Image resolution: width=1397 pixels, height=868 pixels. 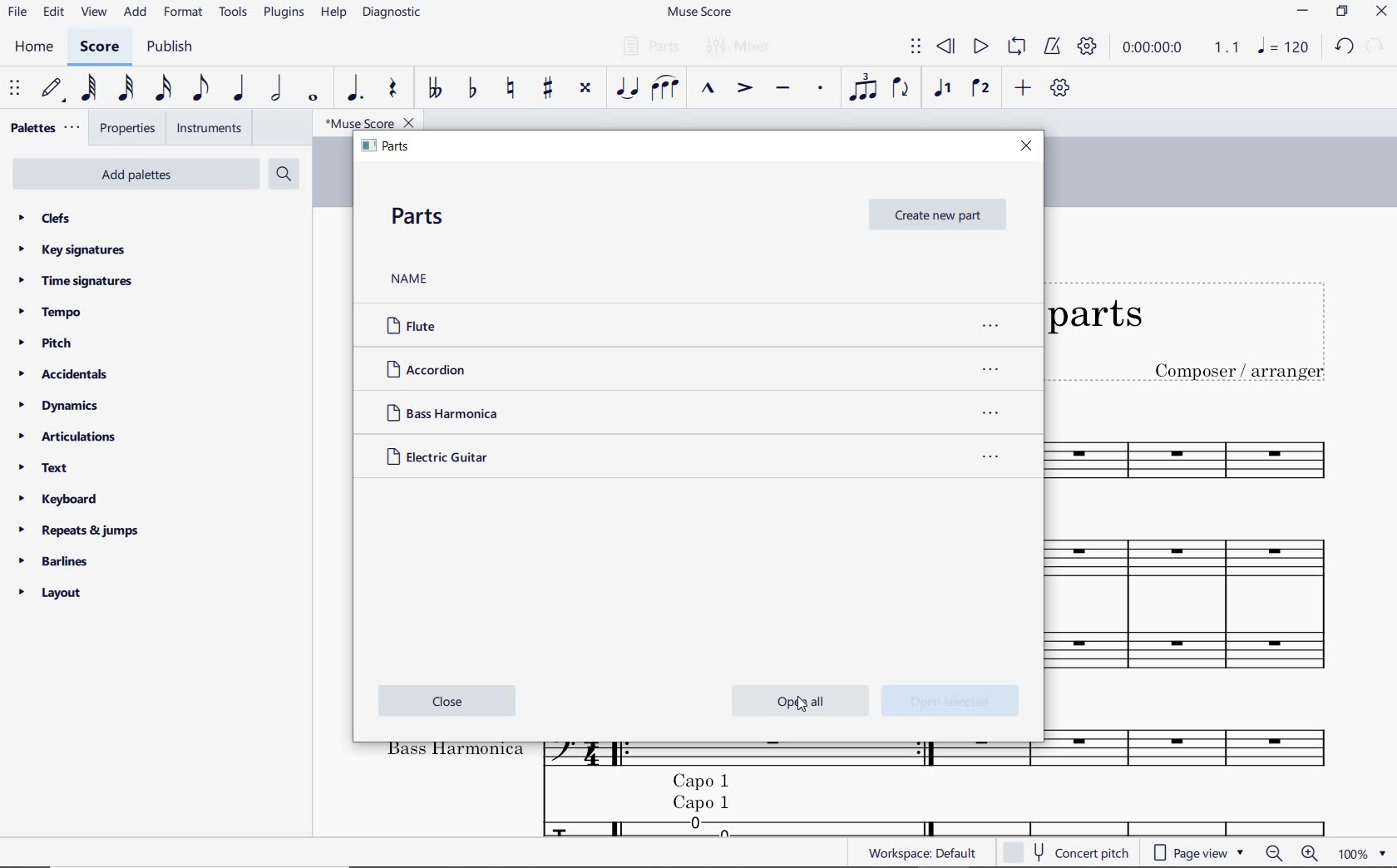 I want to click on , so click(x=1200, y=750).